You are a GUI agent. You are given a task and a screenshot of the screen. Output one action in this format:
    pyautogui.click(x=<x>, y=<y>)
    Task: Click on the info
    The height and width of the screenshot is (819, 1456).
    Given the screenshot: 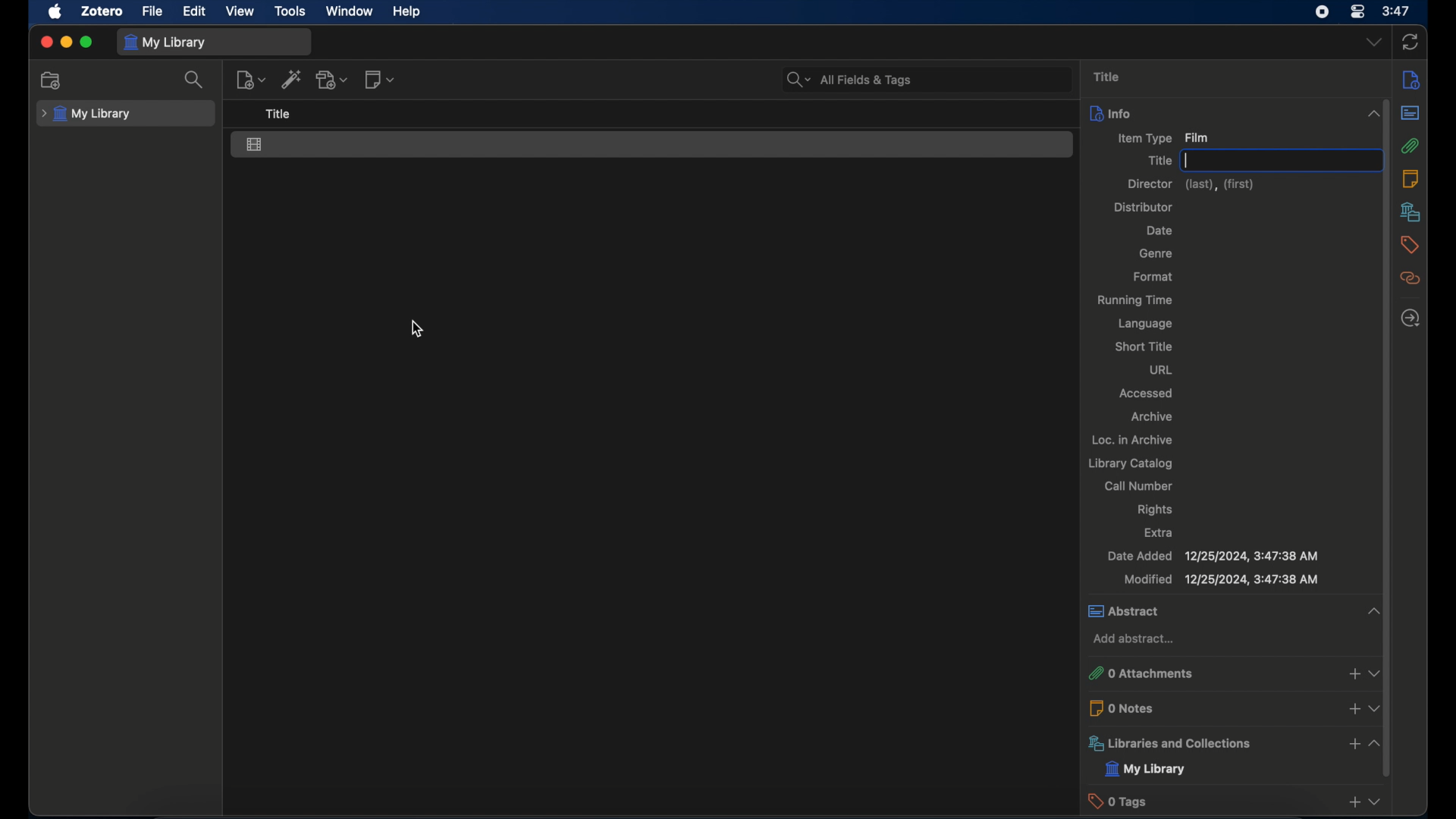 What is the action you would take?
    pyautogui.click(x=1216, y=115)
    